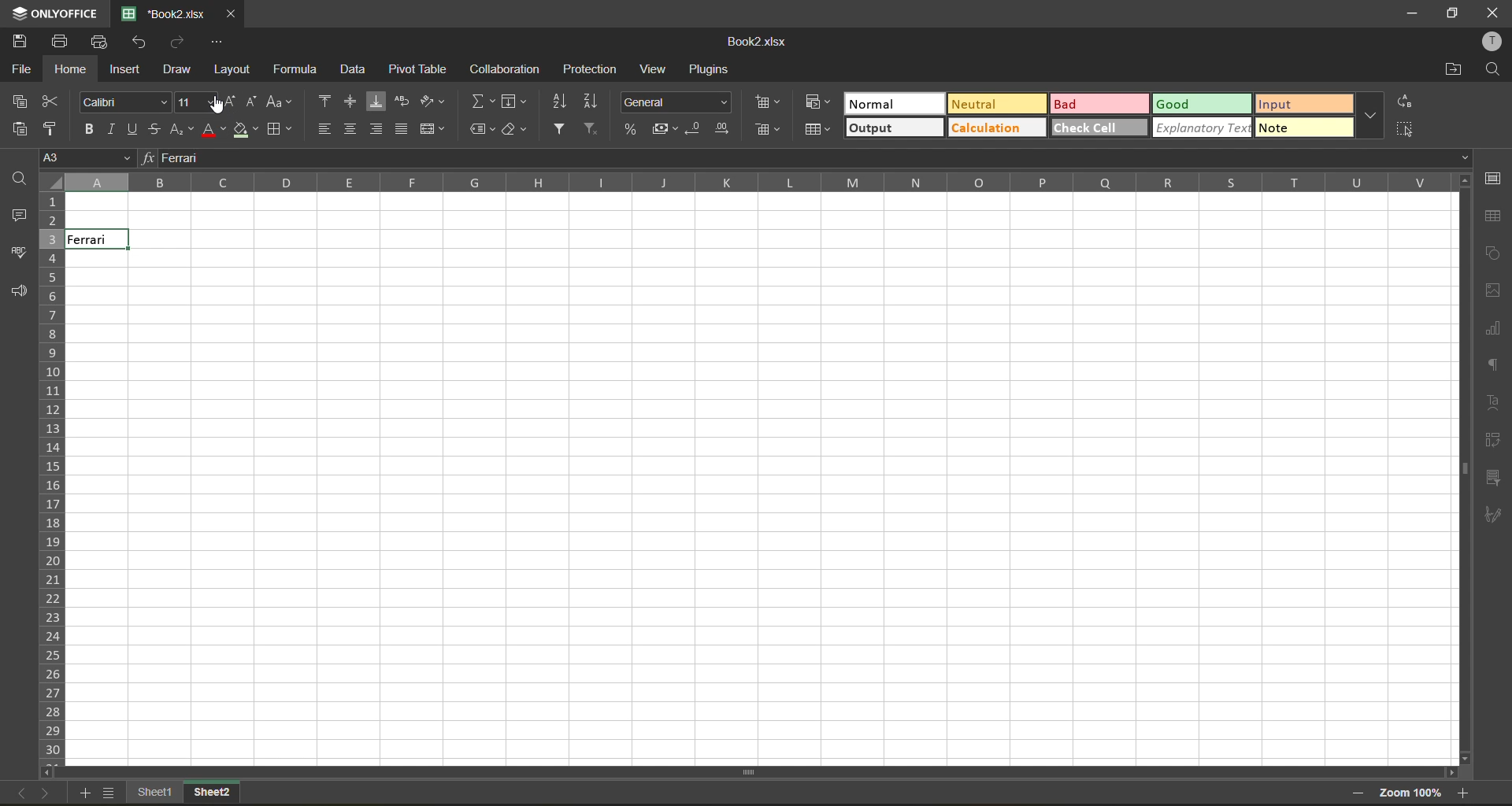 This screenshot has width=1512, height=806. I want to click on copy, so click(20, 100).